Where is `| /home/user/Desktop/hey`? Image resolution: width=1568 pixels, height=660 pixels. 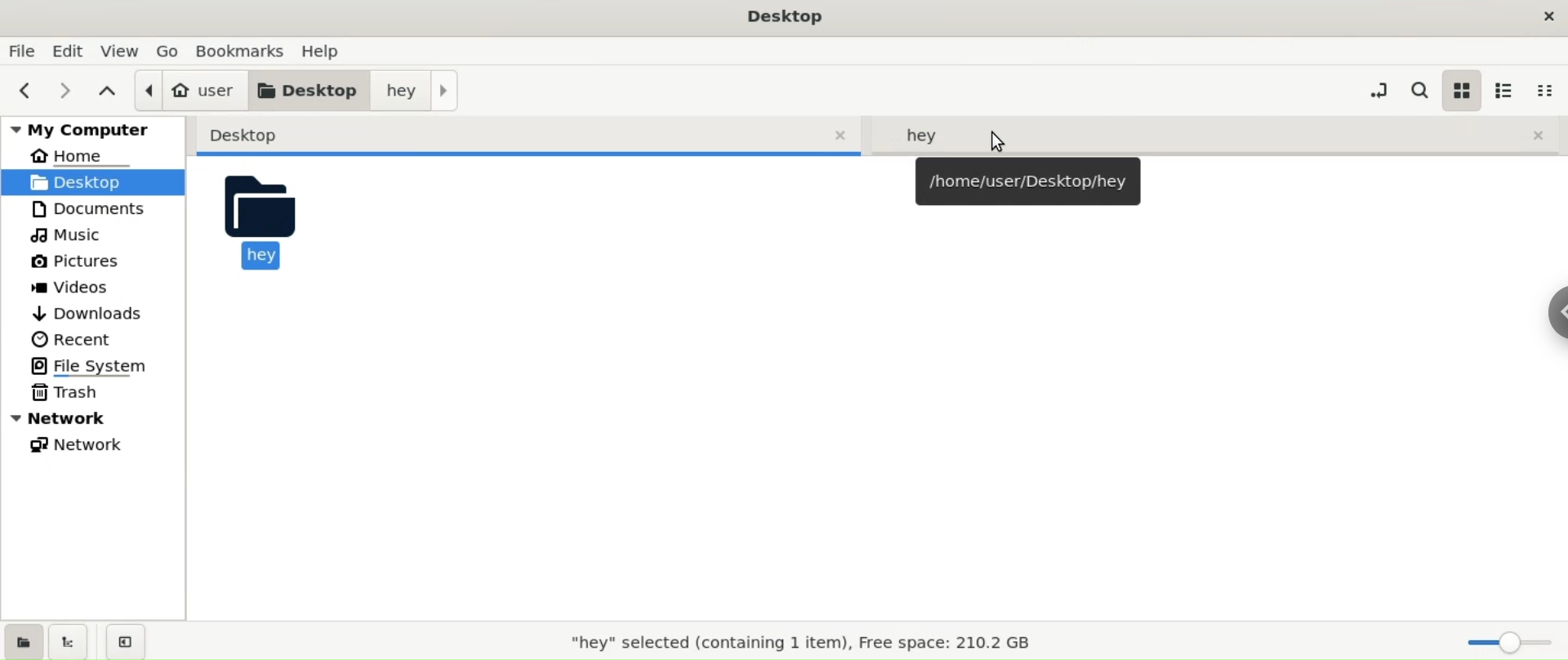 | /home/user/Desktop/hey is located at coordinates (1027, 181).